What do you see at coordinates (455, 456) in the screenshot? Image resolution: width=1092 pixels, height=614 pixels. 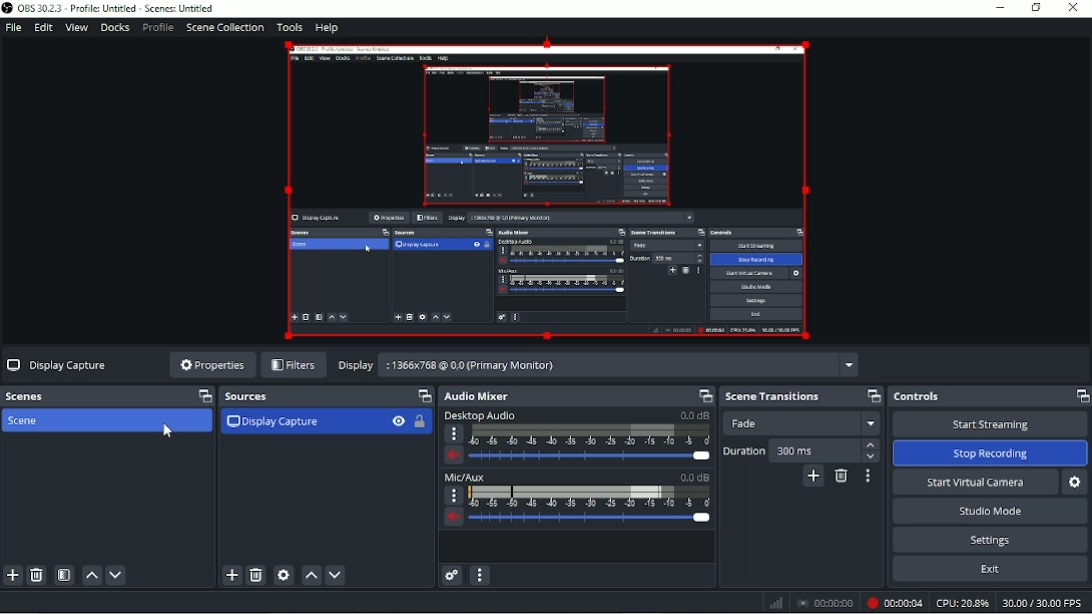 I see `Volume` at bounding box center [455, 456].